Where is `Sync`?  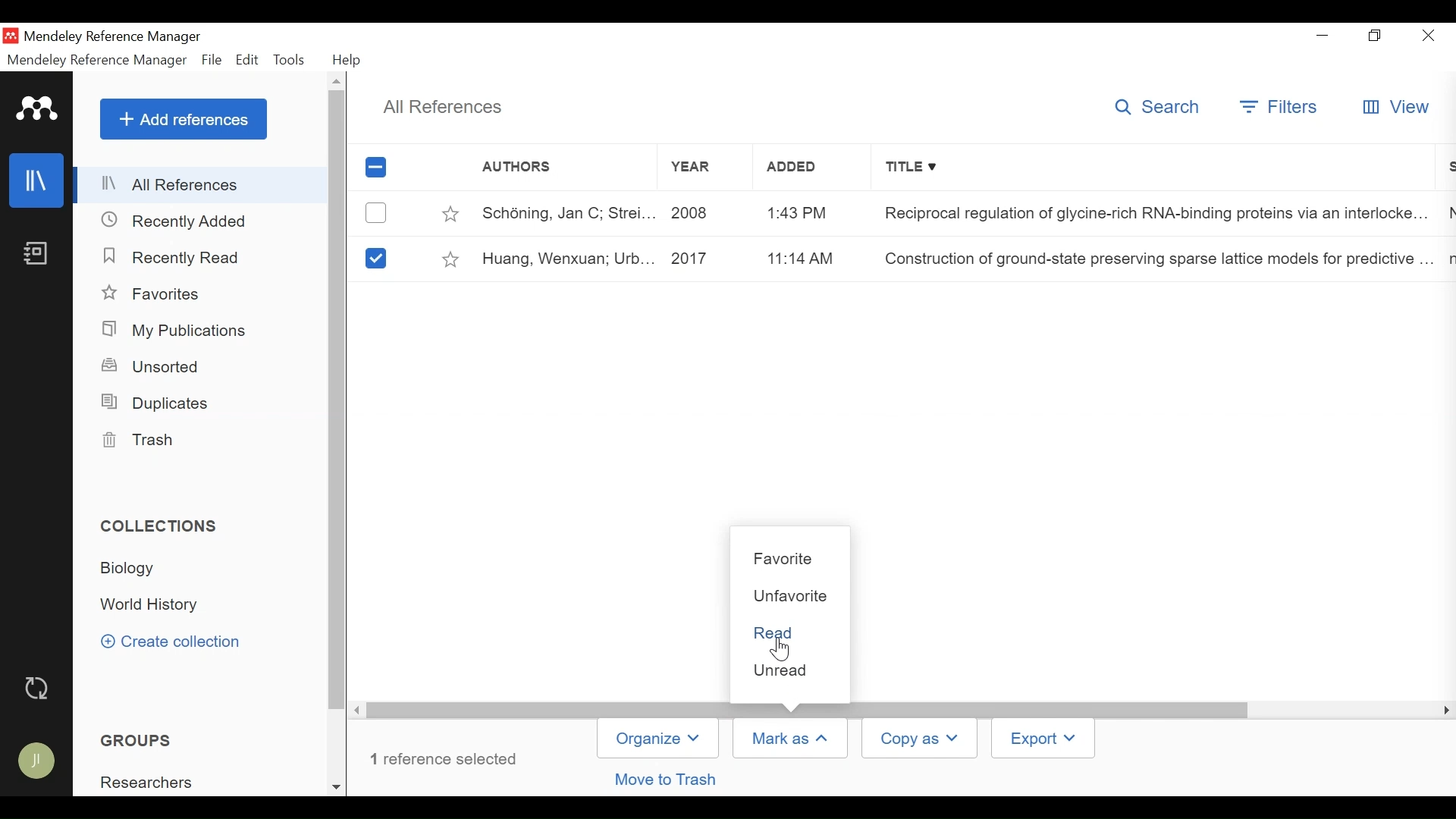 Sync is located at coordinates (39, 690).